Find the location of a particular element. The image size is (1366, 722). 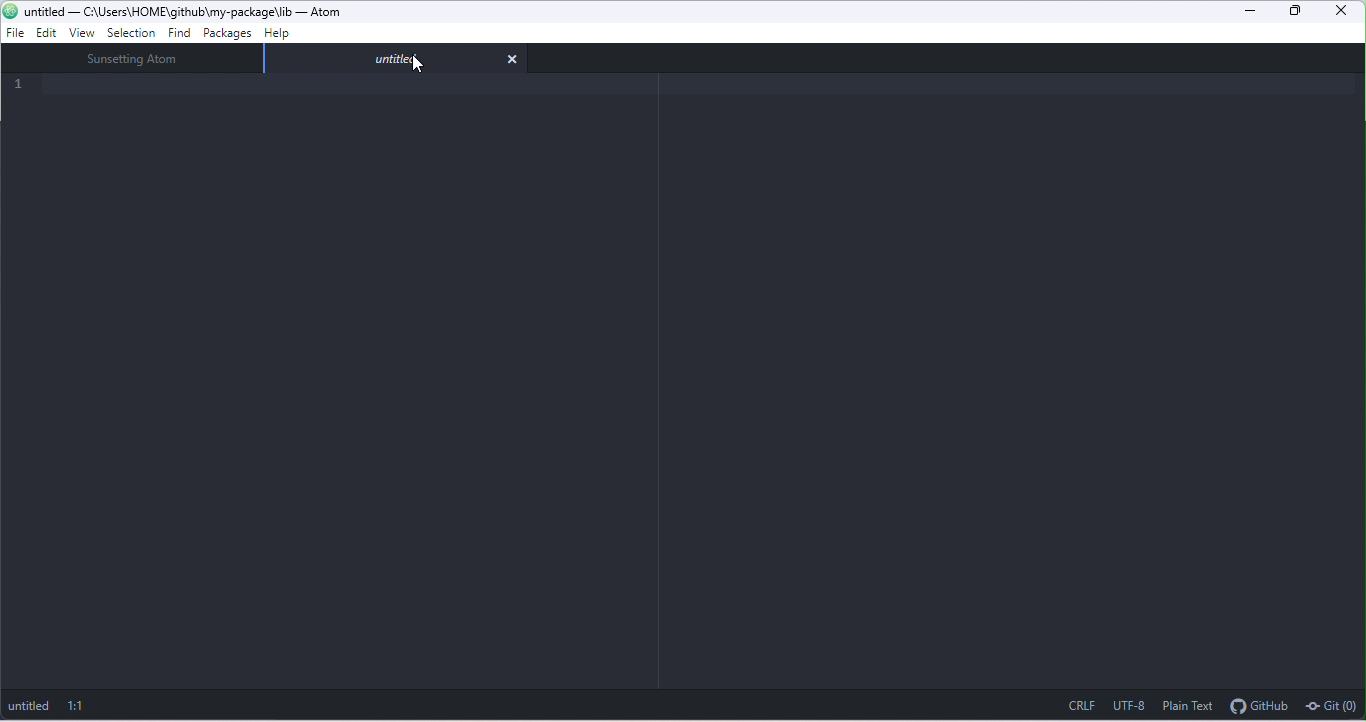

close is located at coordinates (511, 60).